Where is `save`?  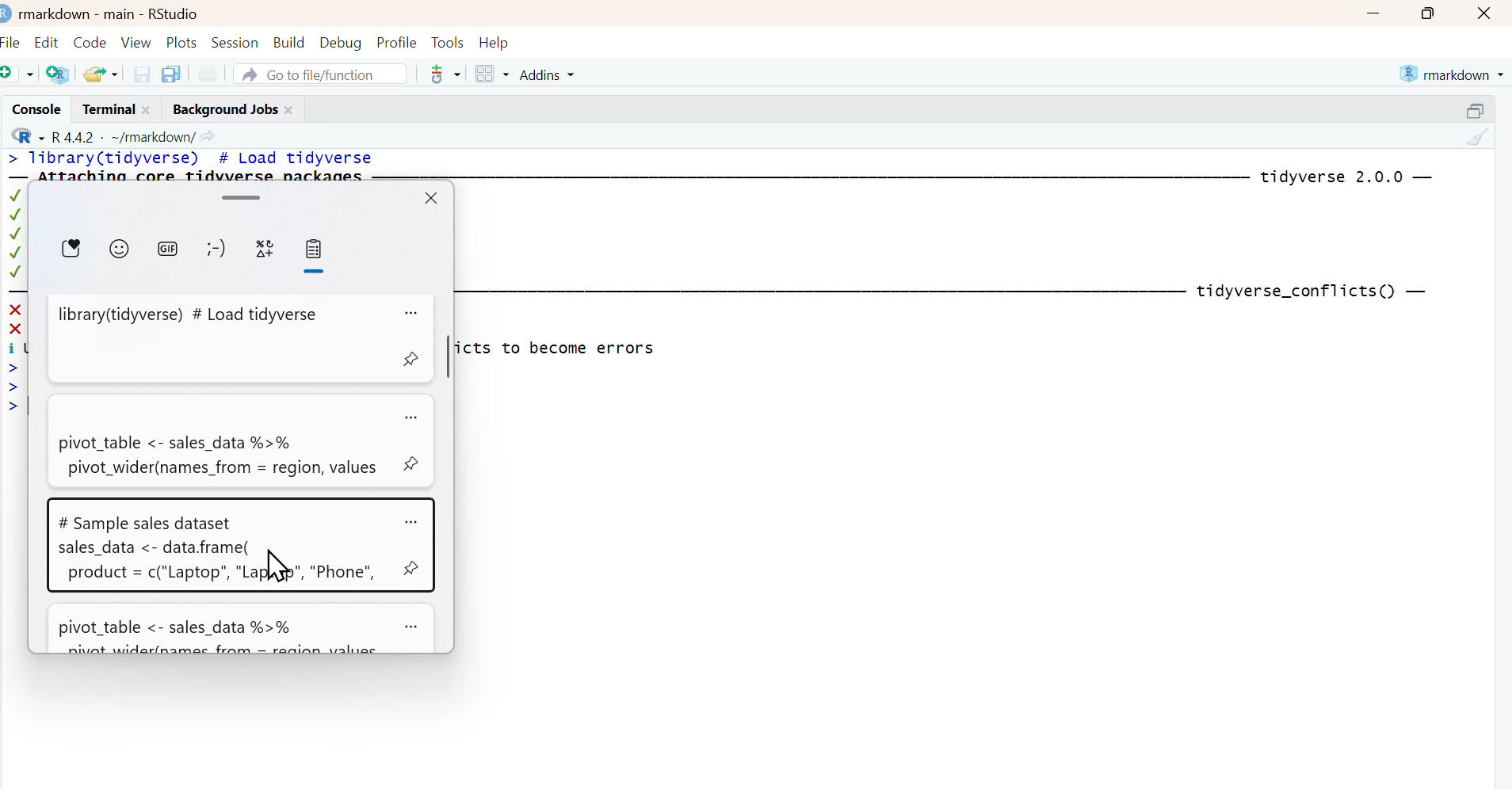
save is located at coordinates (143, 73).